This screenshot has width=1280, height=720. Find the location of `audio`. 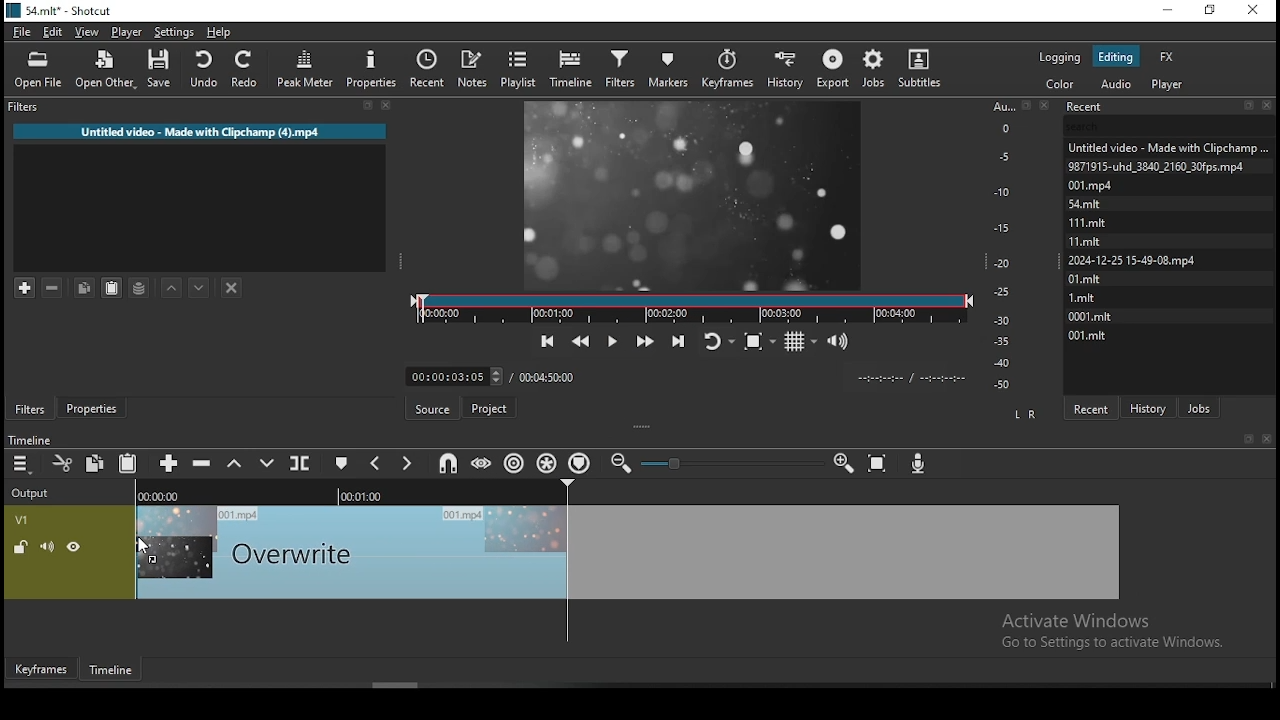

audio is located at coordinates (1117, 83).